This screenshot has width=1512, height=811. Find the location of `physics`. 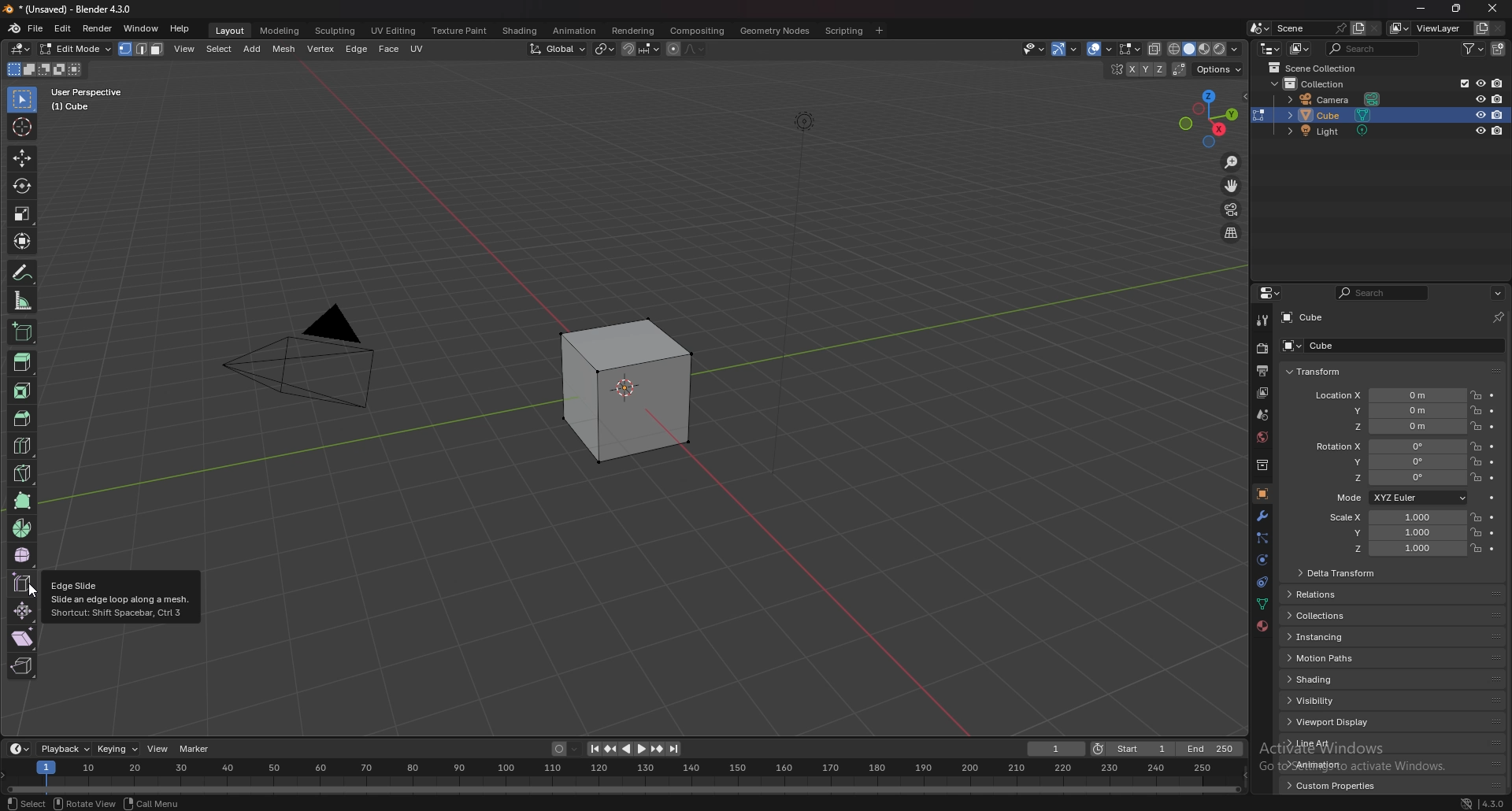

physics is located at coordinates (1262, 561).